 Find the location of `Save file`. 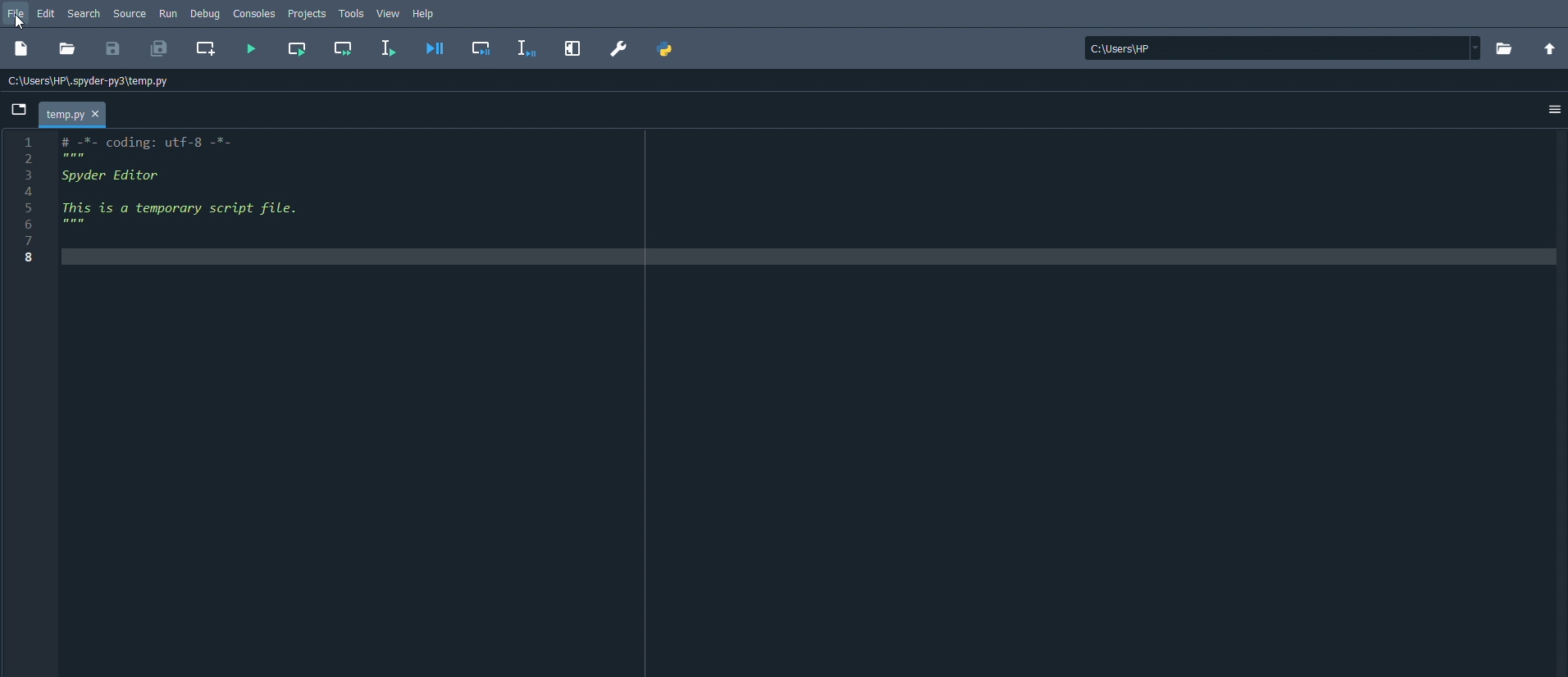

Save file is located at coordinates (113, 48).